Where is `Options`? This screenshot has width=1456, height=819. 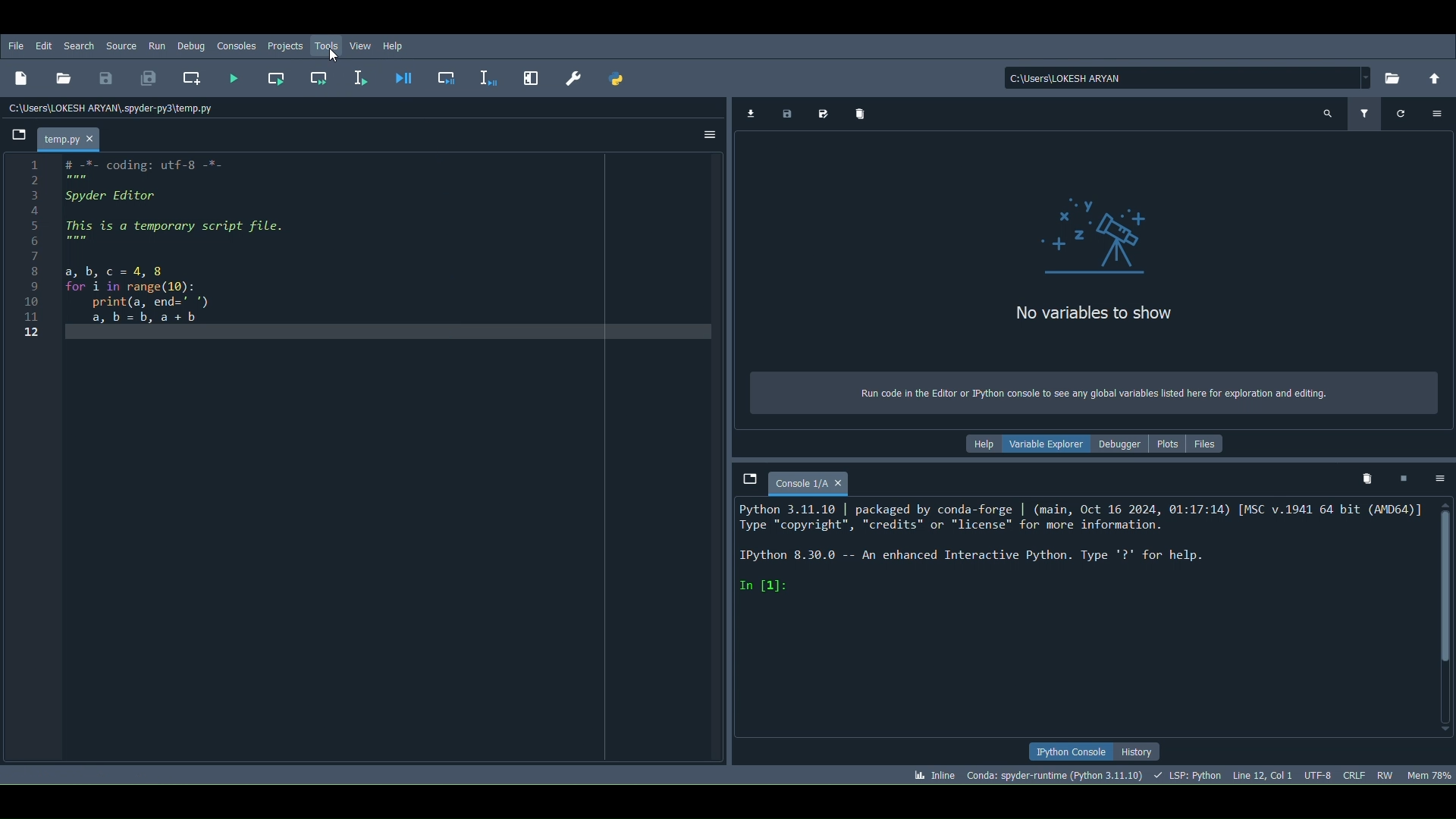
Options is located at coordinates (708, 133).